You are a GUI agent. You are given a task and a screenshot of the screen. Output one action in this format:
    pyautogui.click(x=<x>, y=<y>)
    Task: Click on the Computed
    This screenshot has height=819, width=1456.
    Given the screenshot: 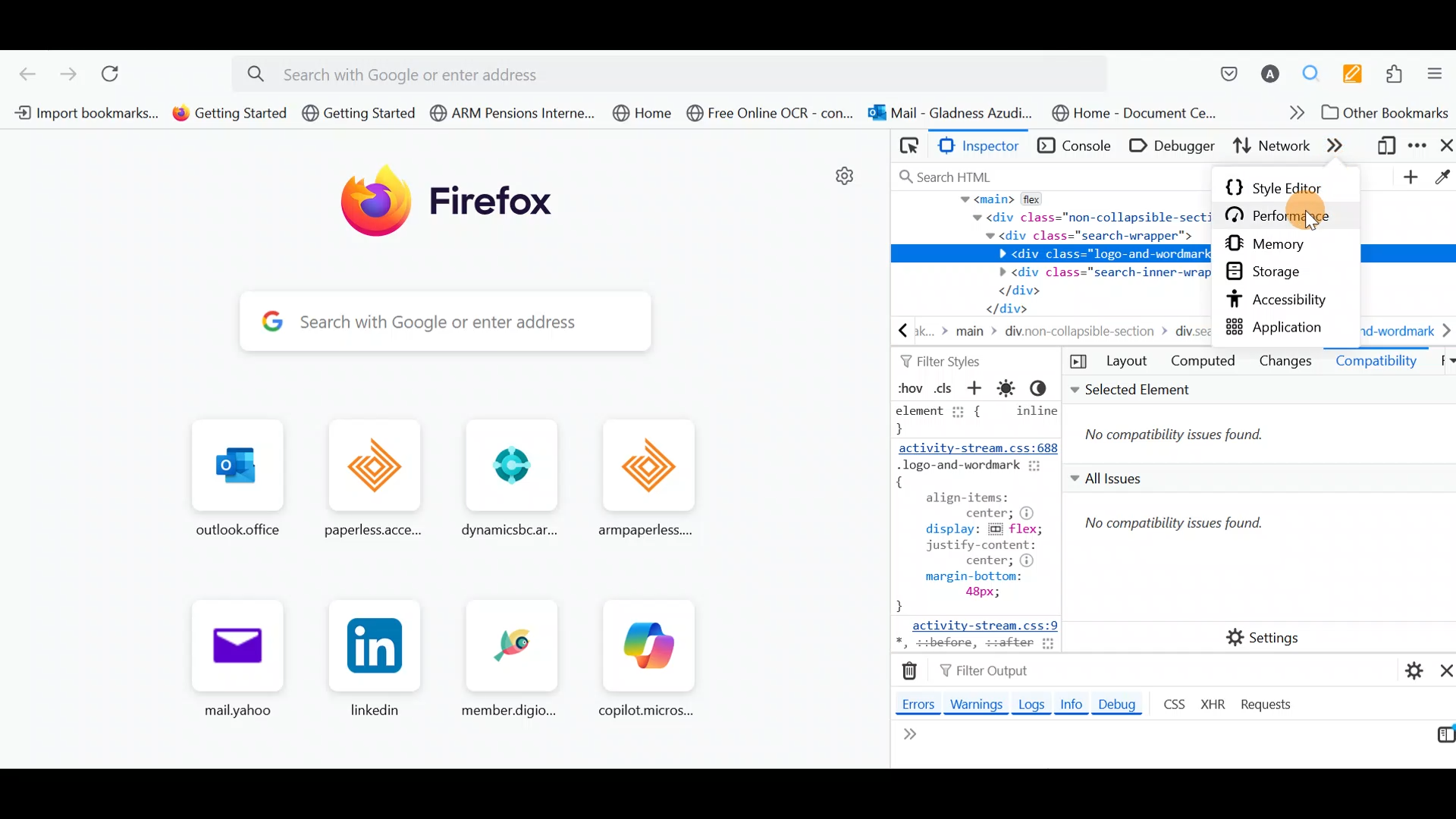 What is the action you would take?
    pyautogui.click(x=1203, y=363)
    